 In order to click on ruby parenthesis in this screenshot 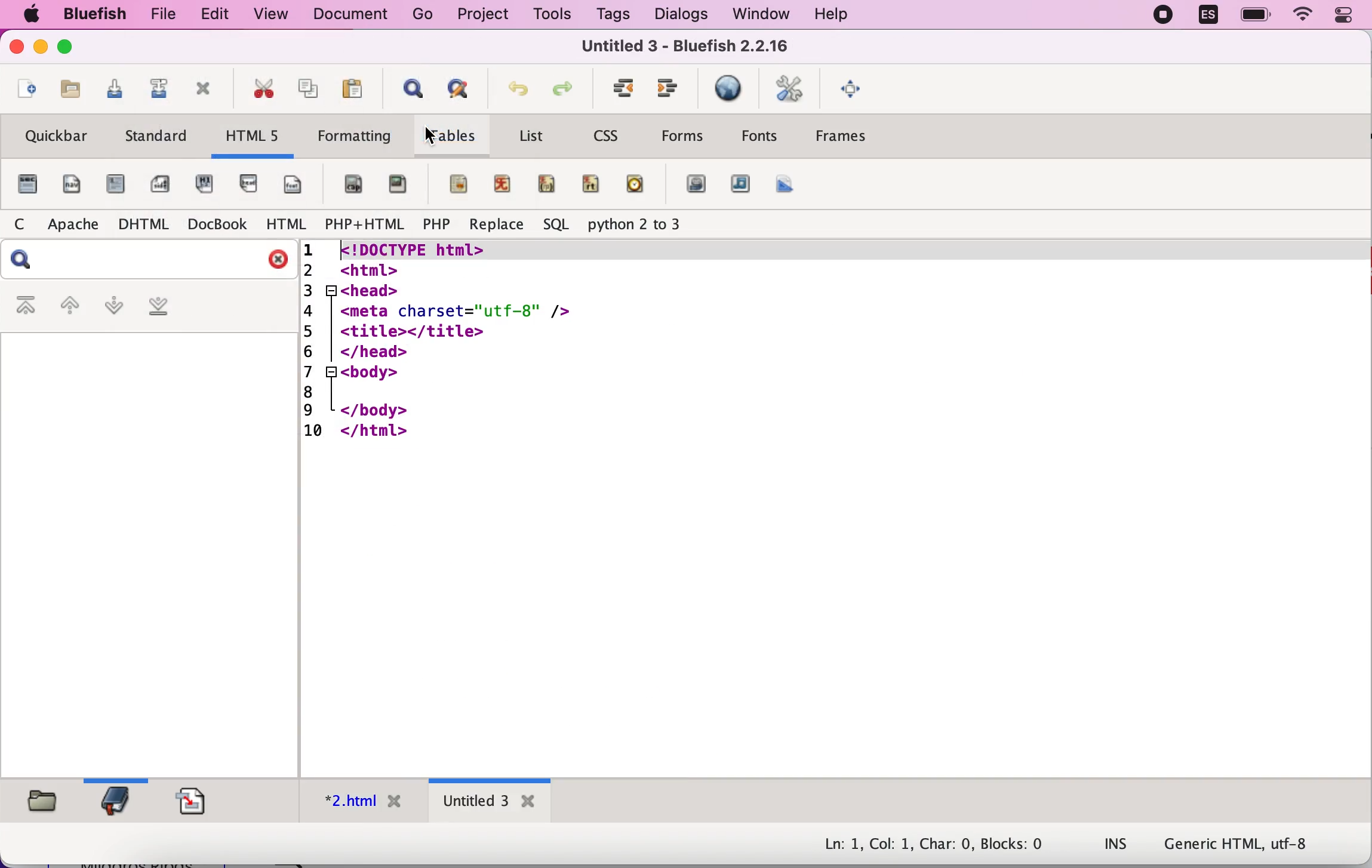, I will do `click(546, 184)`.